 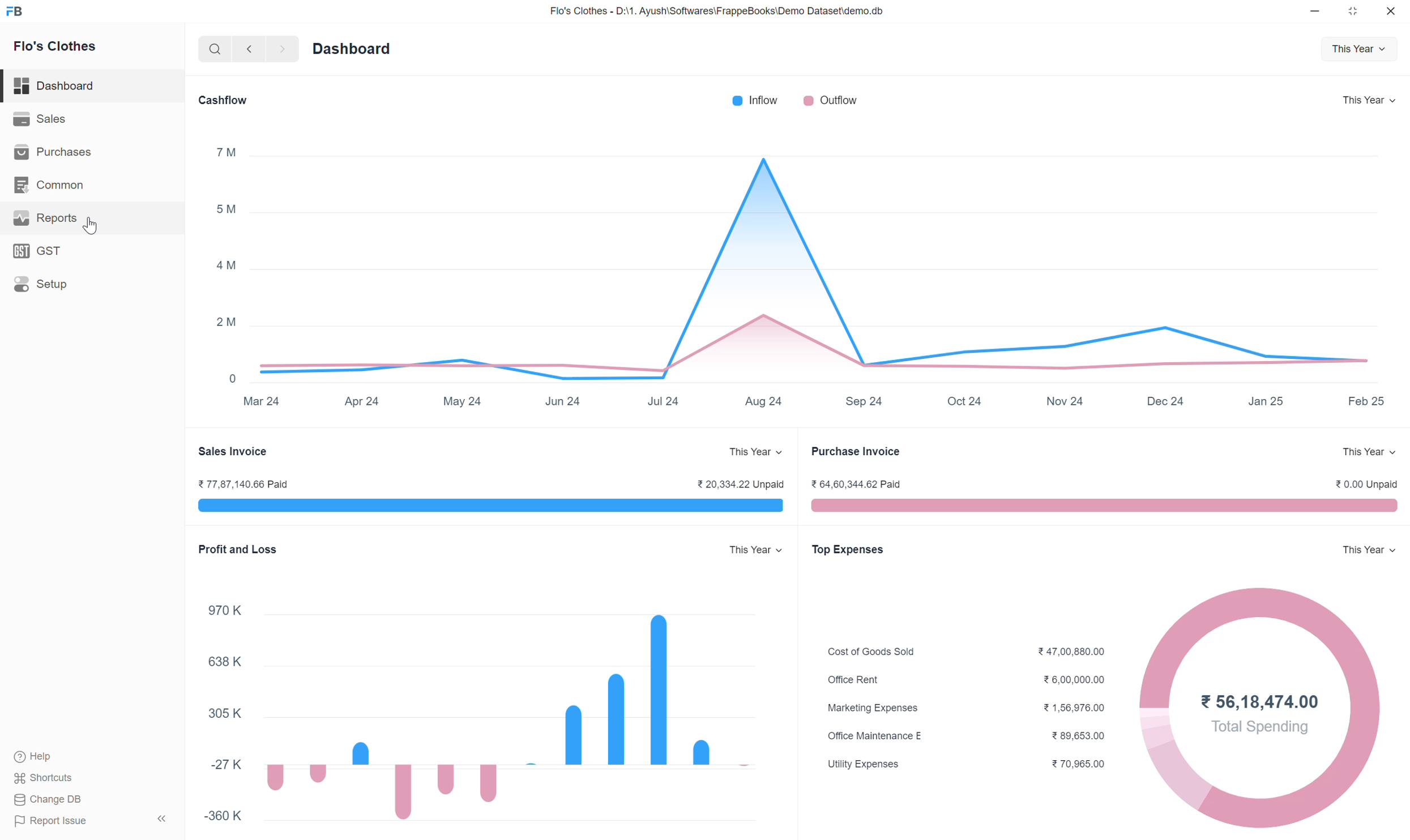 What do you see at coordinates (45, 287) in the screenshot?
I see `setup` at bounding box center [45, 287].